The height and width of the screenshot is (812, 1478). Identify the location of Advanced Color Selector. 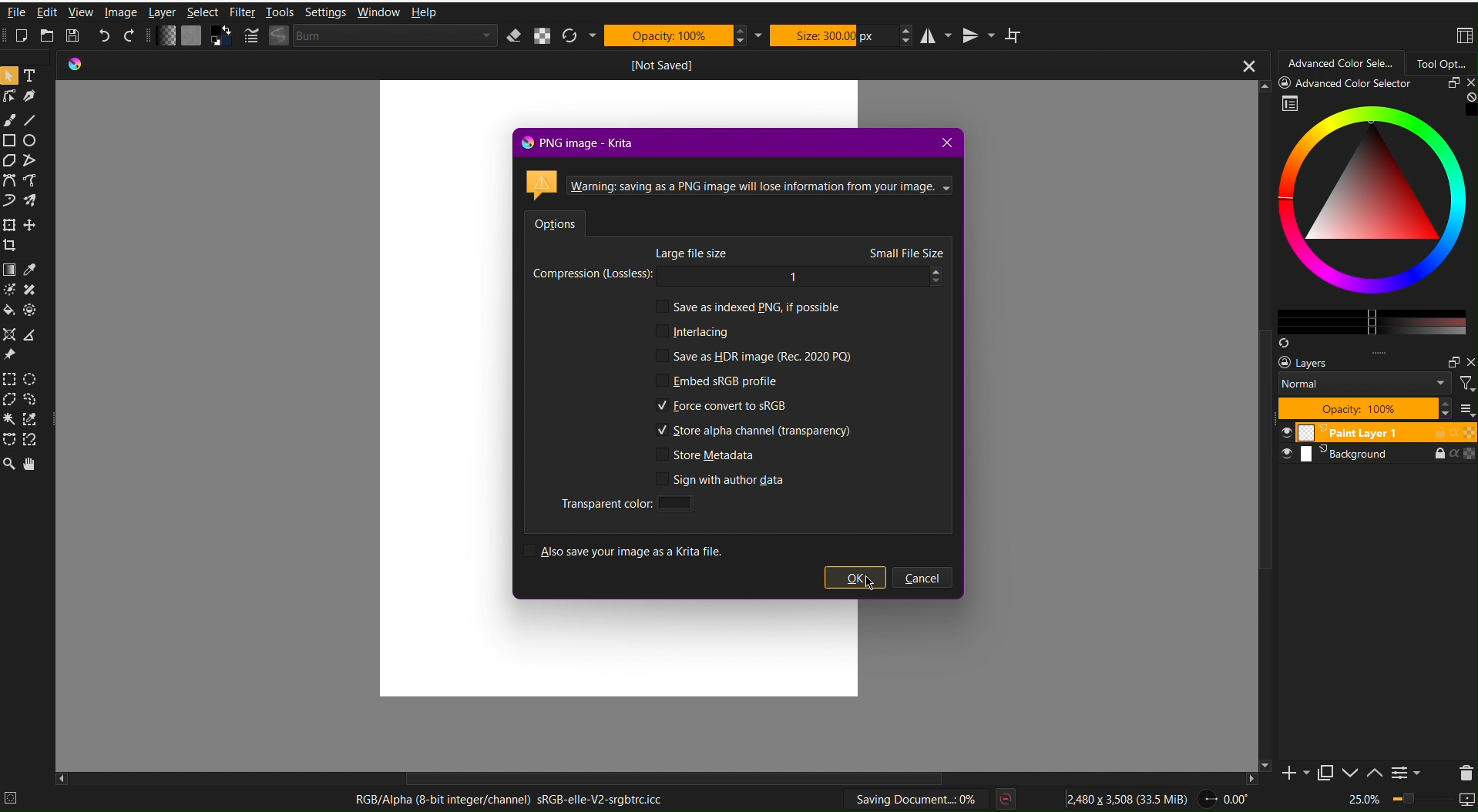
(1367, 214).